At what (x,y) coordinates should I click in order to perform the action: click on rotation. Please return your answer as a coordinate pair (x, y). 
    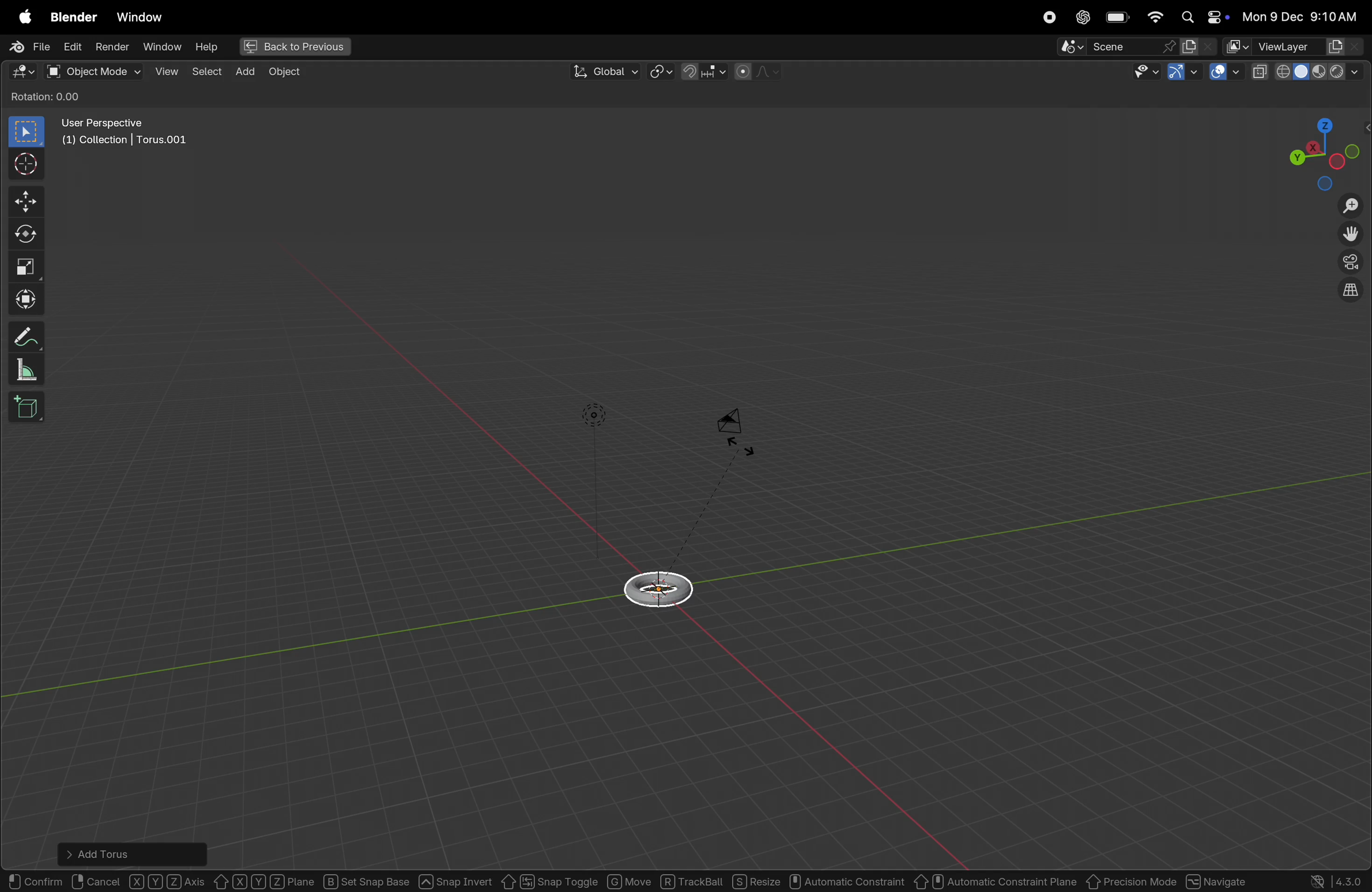
    Looking at the image, I should click on (52, 96).